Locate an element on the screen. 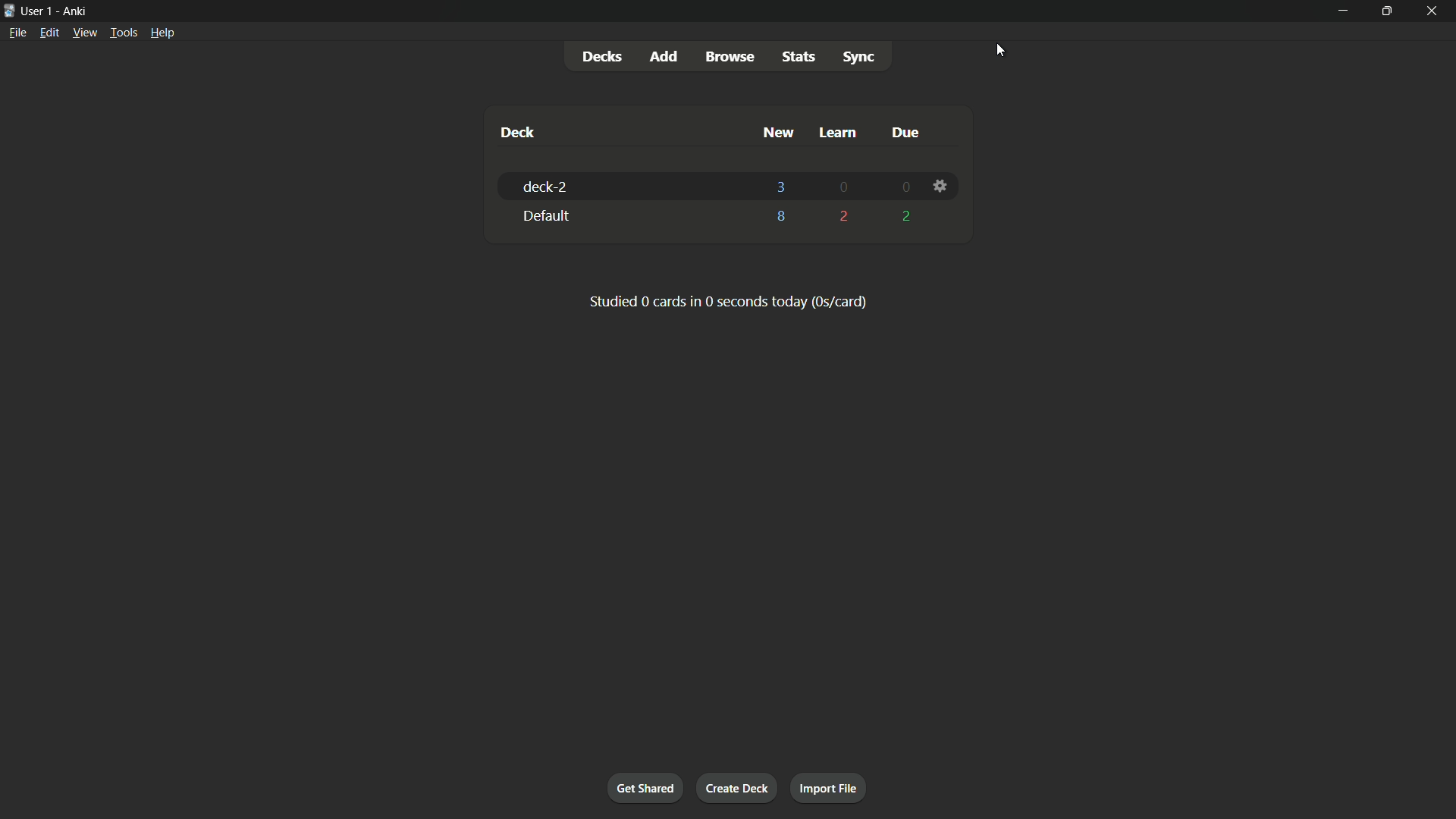 This screenshot has width=1456, height=819. deck is located at coordinates (518, 133).